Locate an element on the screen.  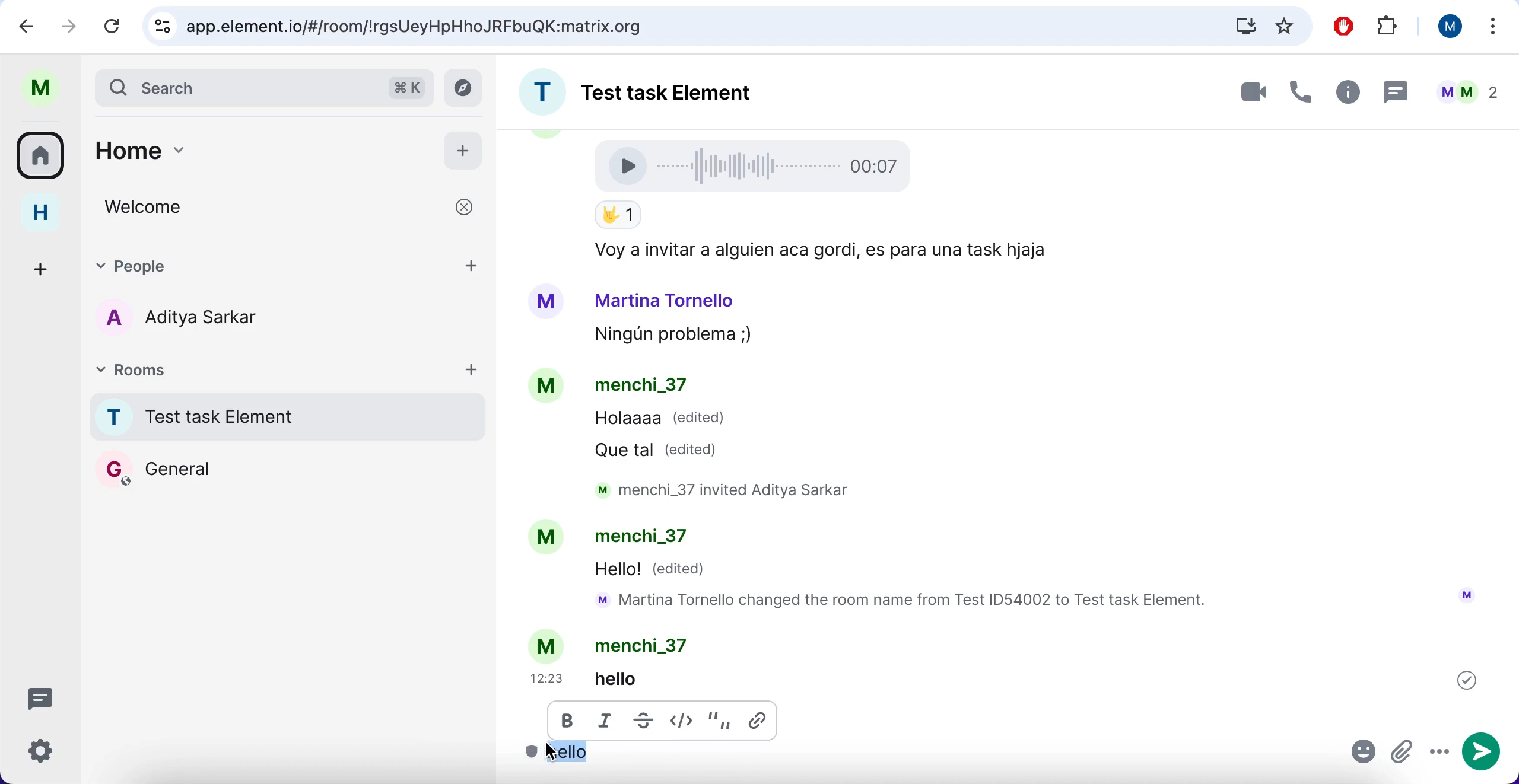
emoji is located at coordinates (1364, 754).